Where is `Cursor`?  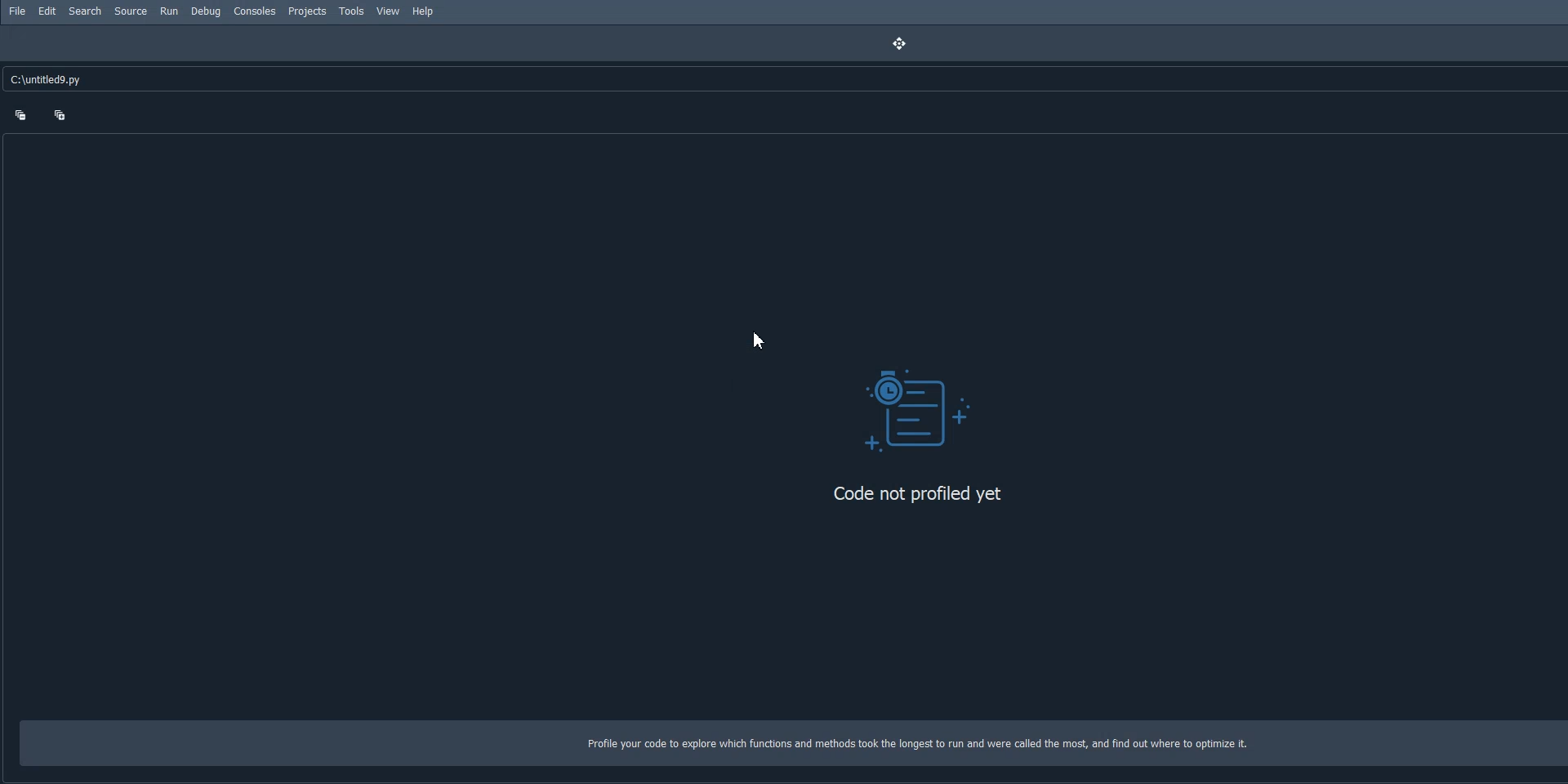
Cursor is located at coordinates (759, 341).